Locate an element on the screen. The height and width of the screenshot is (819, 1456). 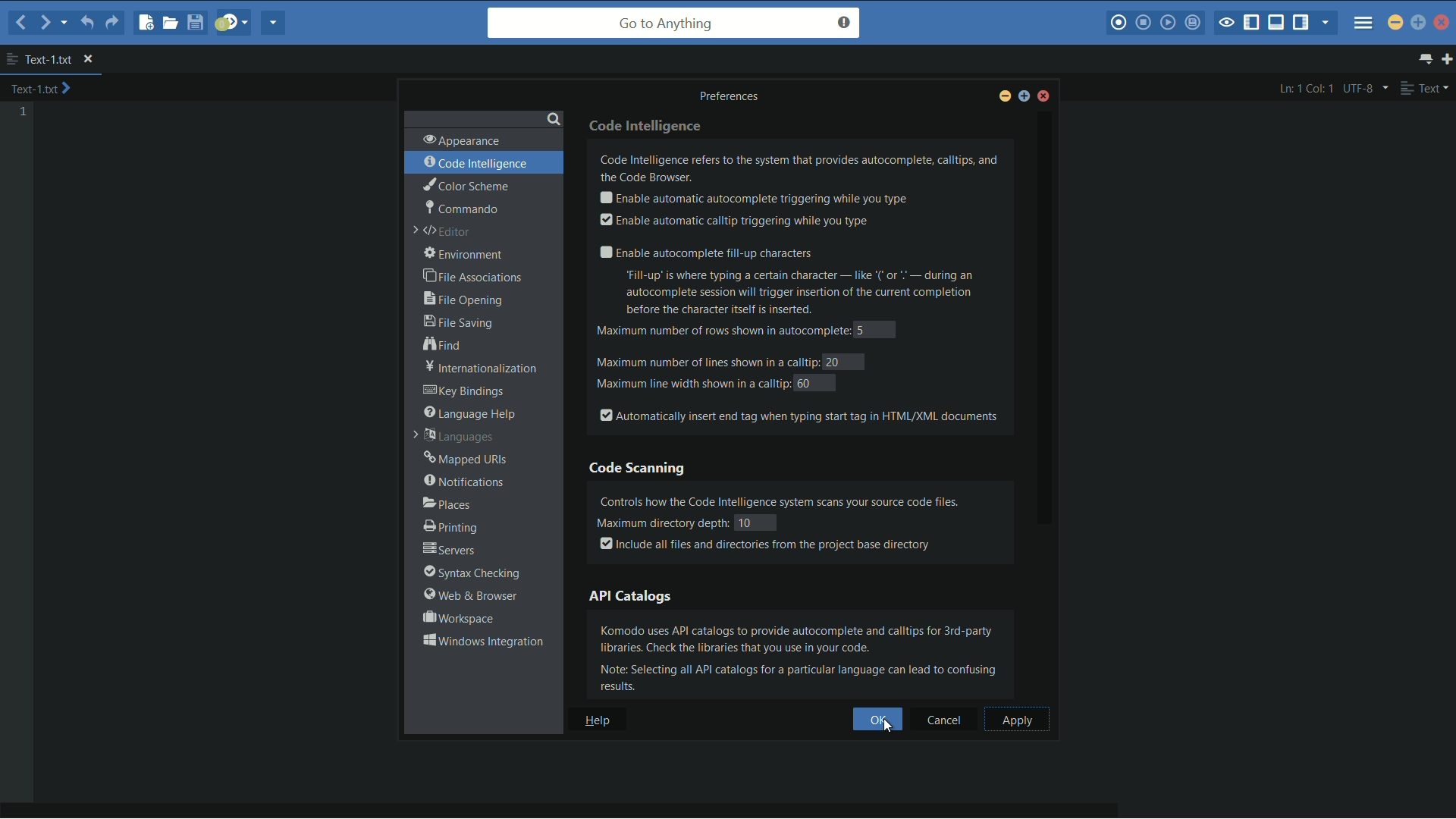
color scheme is located at coordinates (465, 185).